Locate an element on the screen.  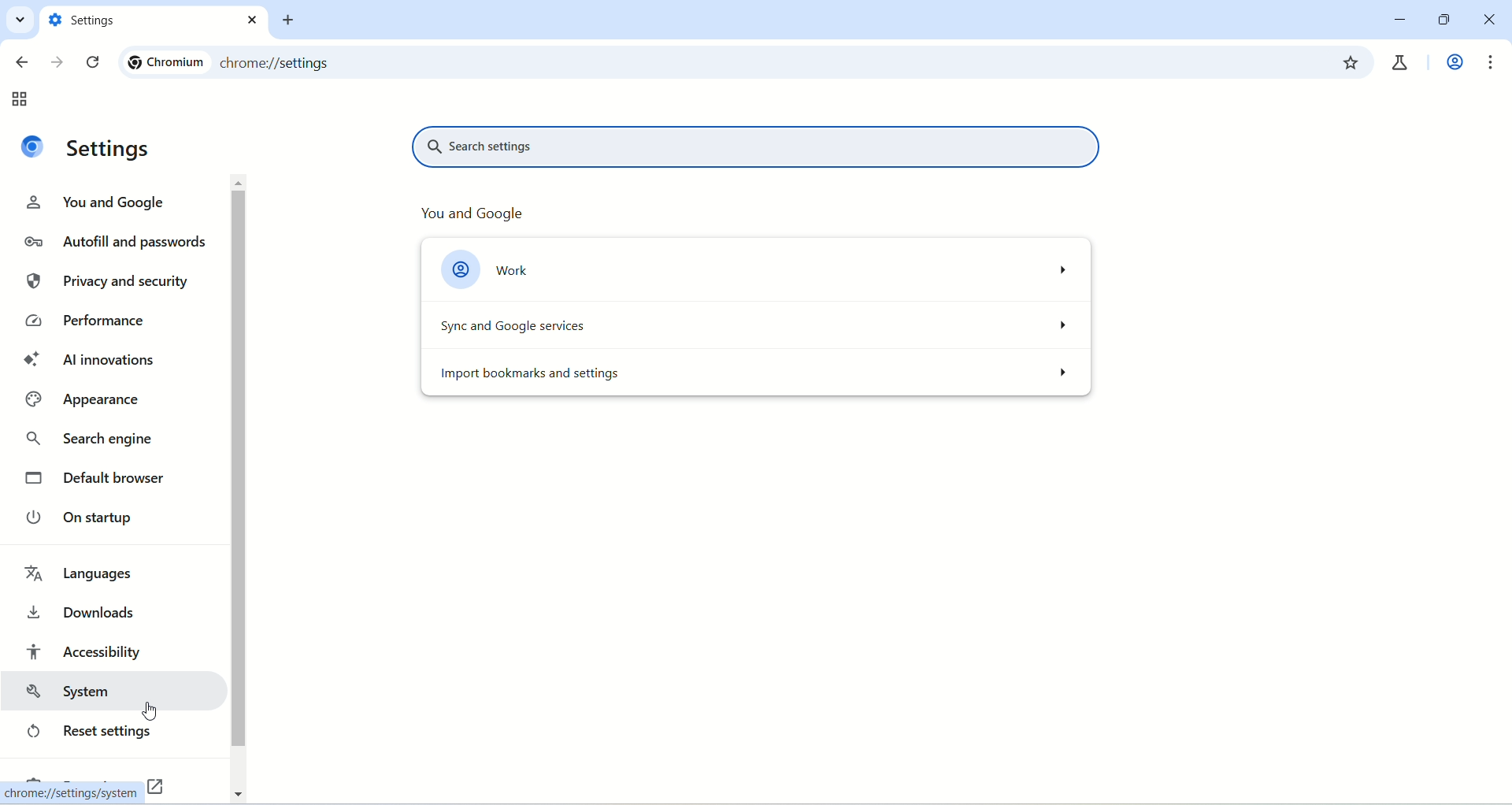
search settings is located at coordinates (762, 148).